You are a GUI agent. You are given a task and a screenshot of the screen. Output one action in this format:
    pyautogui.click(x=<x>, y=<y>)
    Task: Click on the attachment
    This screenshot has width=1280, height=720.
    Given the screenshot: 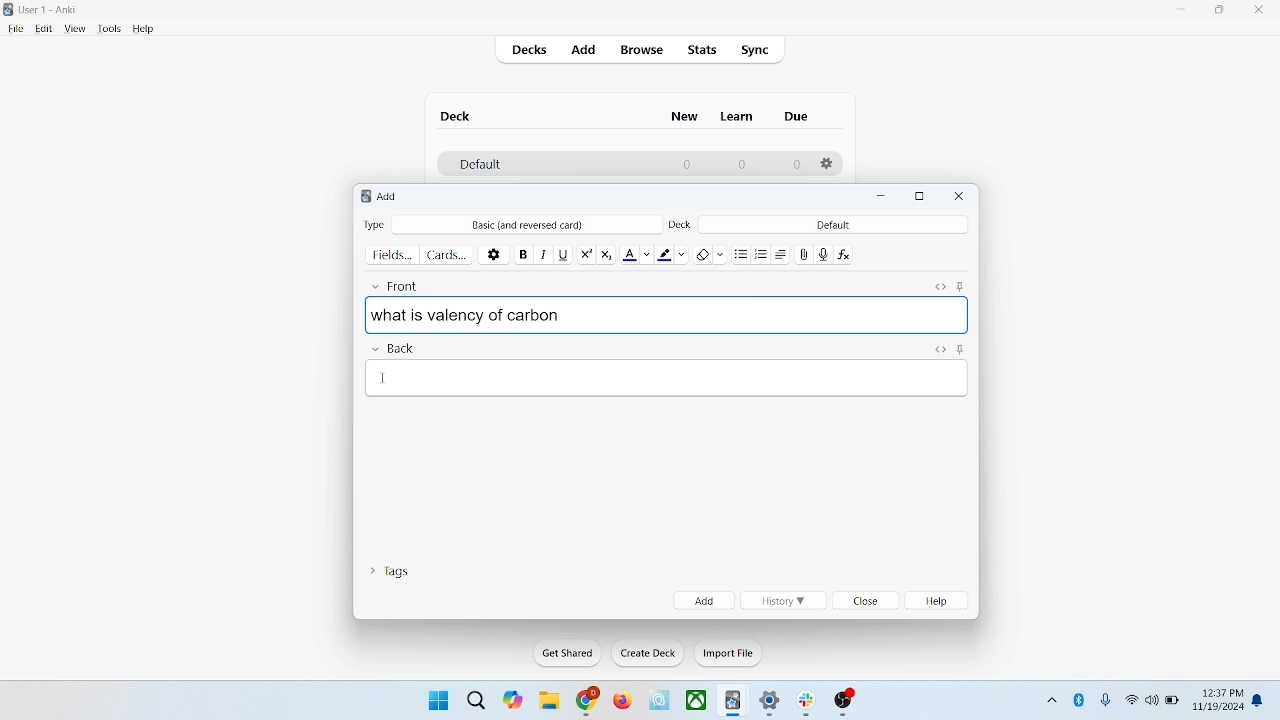 What is the action you would take?
    pyautogui.click(x=805, y=253)
    